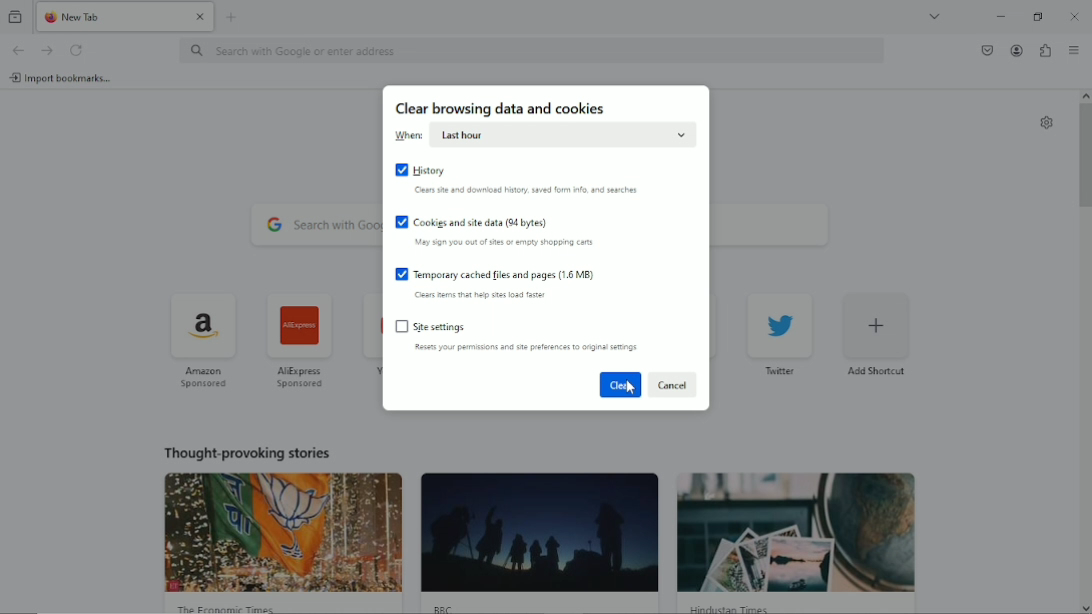 Image resolution: width=1092 pixels, height=614 pixels. Describe the element at coordinates (77, 49) in the screenshot. I see `Reload current page` at that location.